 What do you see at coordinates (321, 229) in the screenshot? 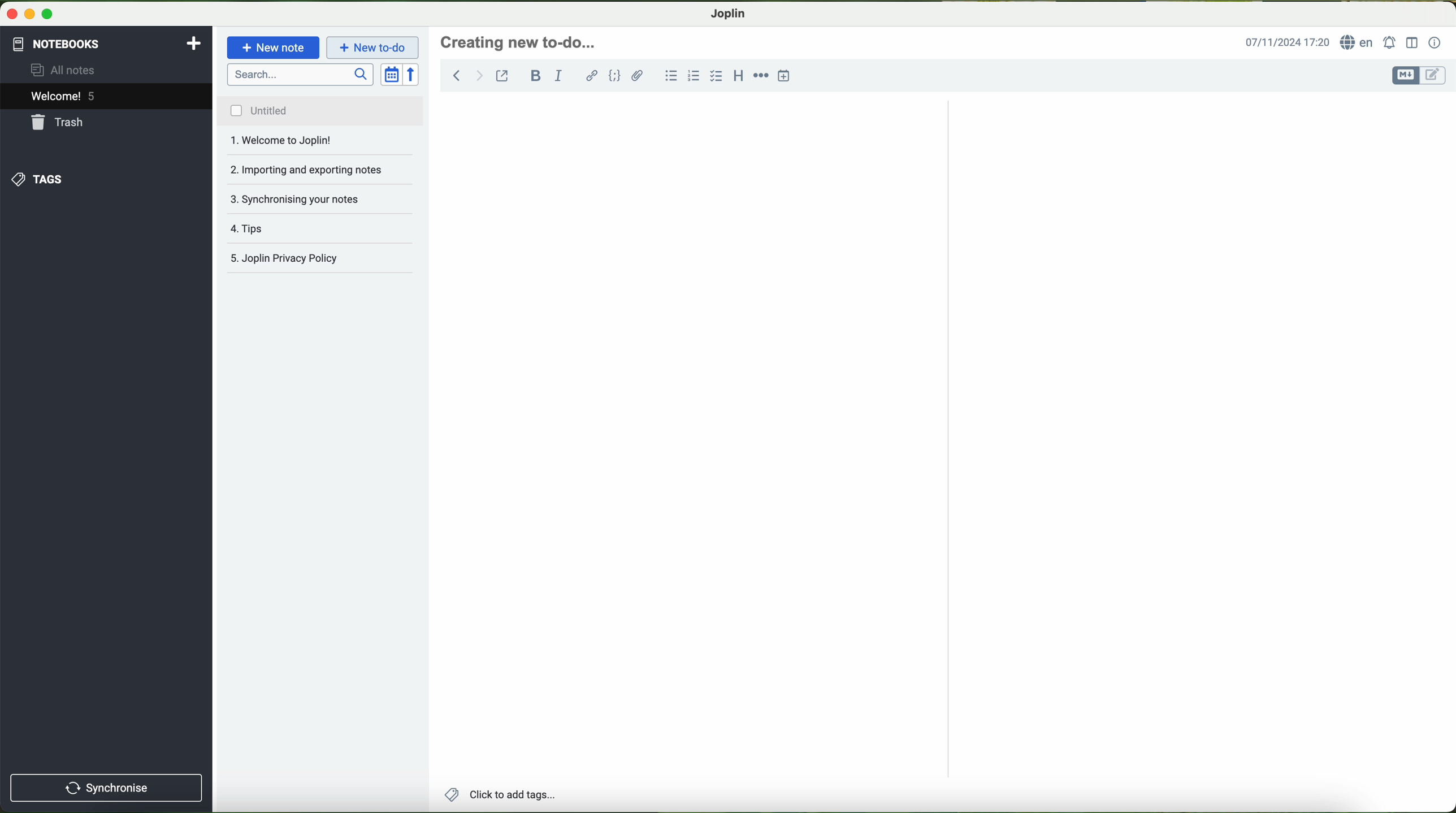
I see `Joplin privacy policy` at bounding box center [321, 229].